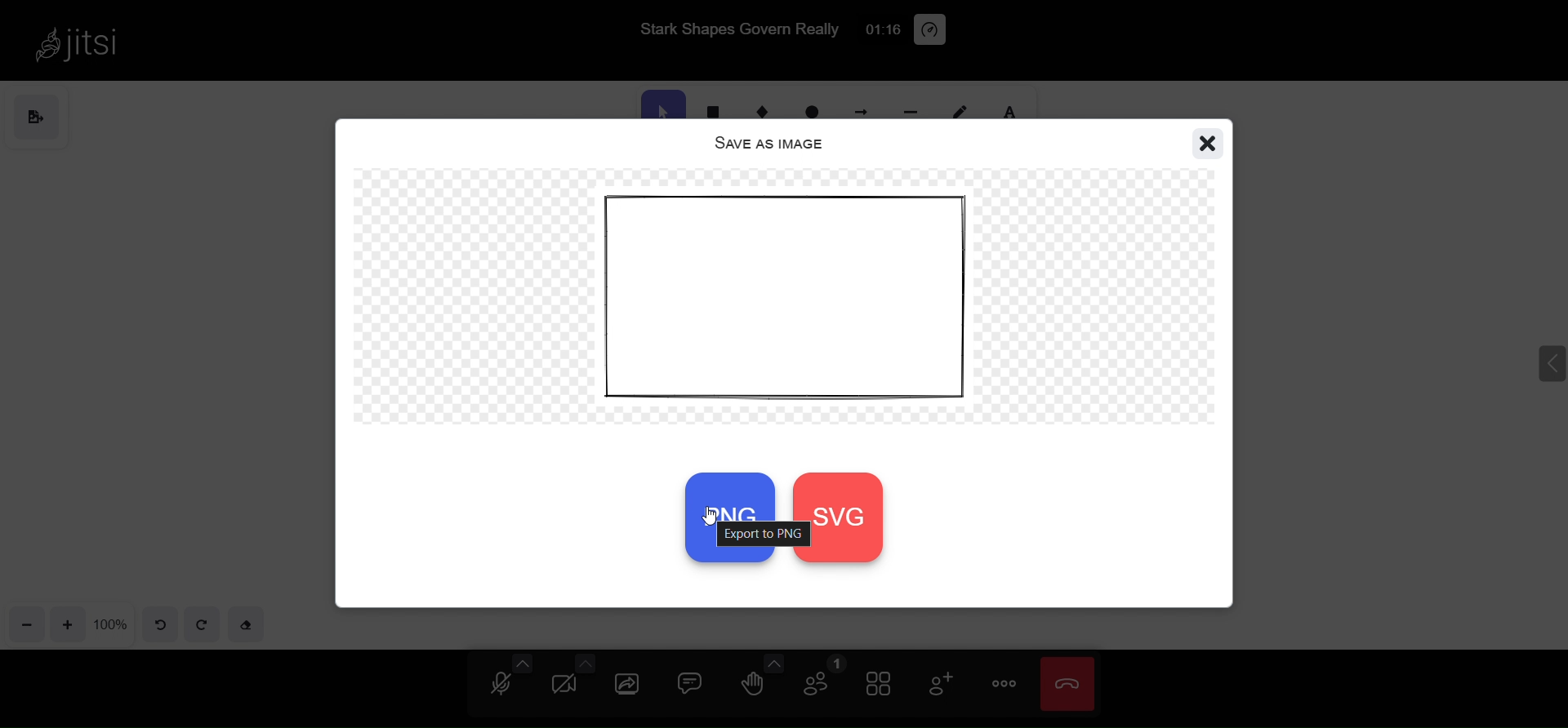  What do you see at coordinates (42, 115) in the screenshot?
I see `save as image` at bounding box center [42, 115].